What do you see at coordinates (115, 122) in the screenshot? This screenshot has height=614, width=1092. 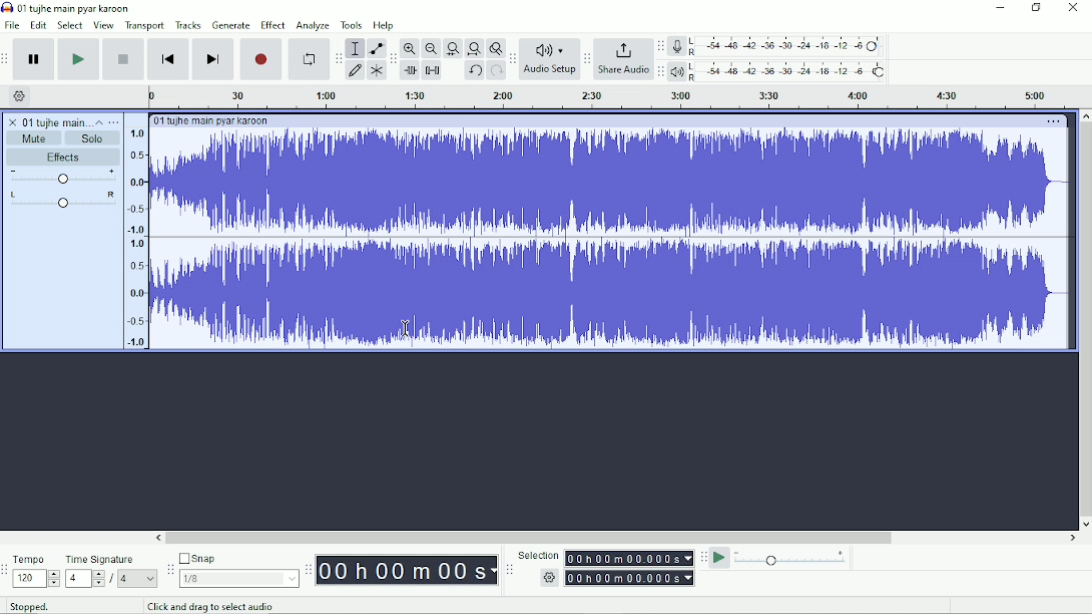 I see `Open menu` at bounding box center [115, 122].